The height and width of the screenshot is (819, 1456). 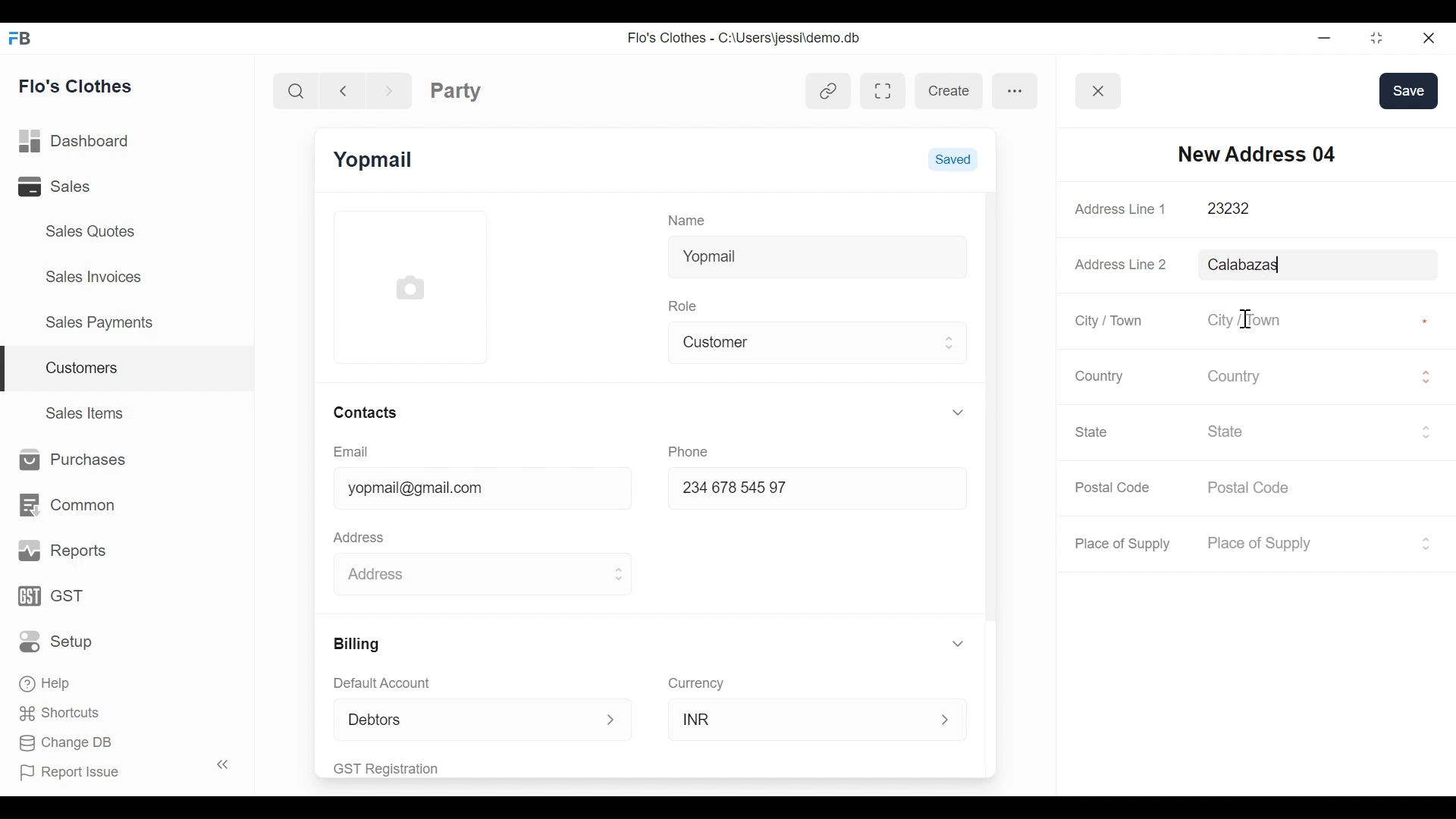 What do you see at coordinates (1323, 37) in the screenshot?
I see `minimize` at bounding box center [1323, 37].